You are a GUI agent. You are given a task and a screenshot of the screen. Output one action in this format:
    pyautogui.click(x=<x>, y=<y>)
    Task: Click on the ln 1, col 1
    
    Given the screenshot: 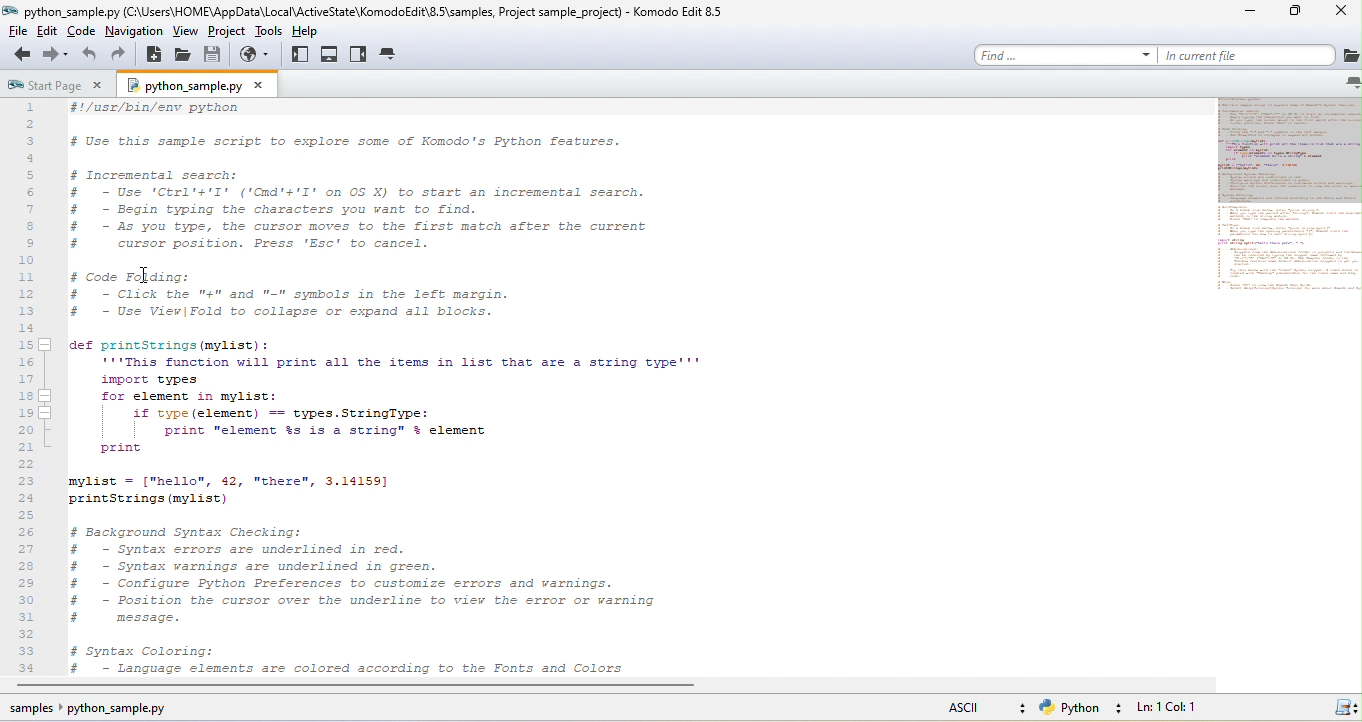 What is the action you would take?
    pyautogui.click(x=1168, y=708)
    